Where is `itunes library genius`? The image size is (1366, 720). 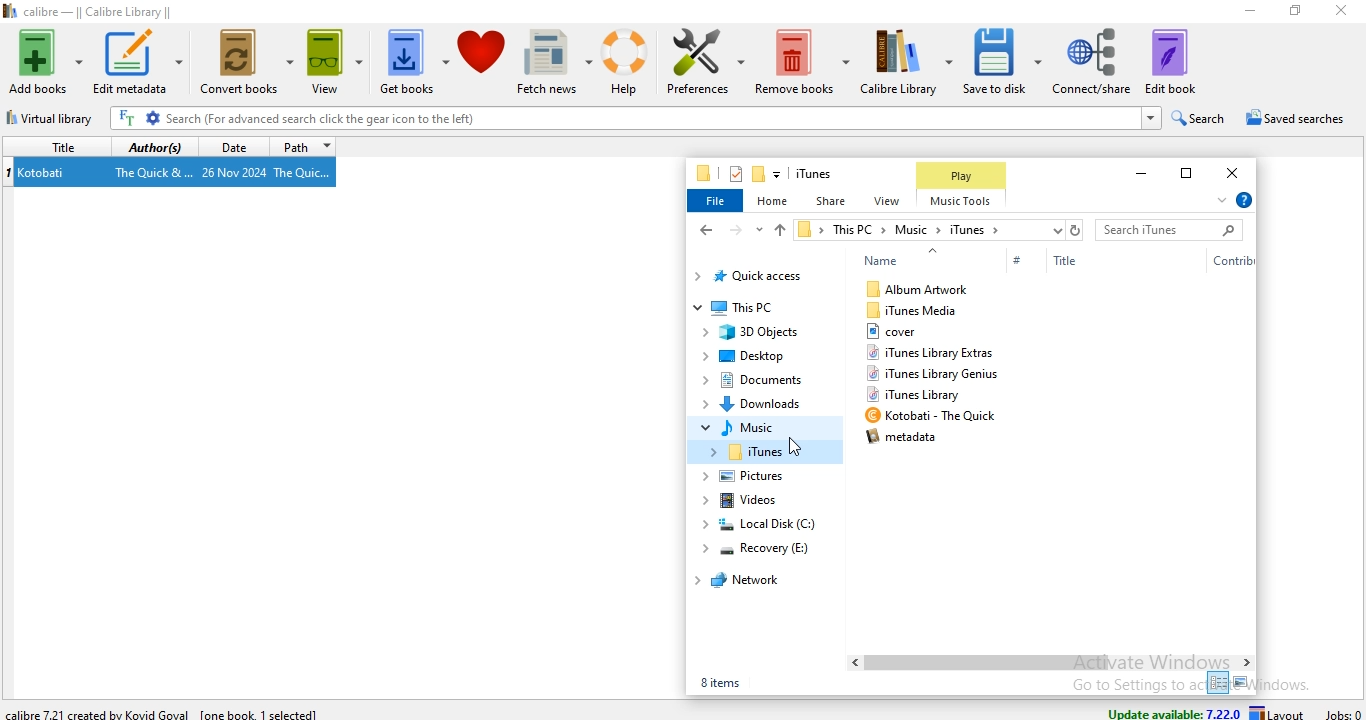 itunes library genius is located at coordinates (938, 375).